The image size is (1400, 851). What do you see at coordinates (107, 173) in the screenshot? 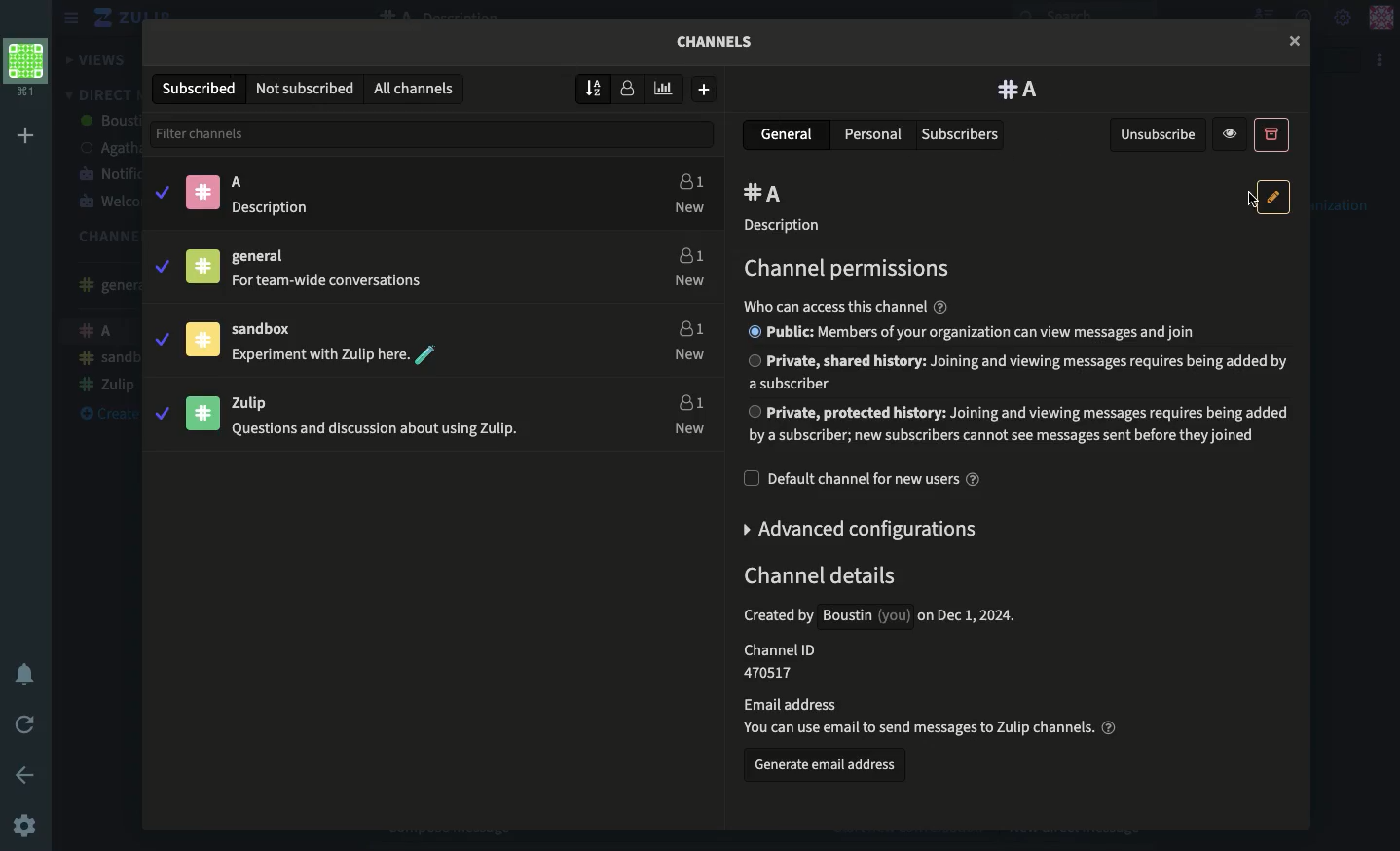
I see `Notification bot` at bounding box center [107, 173].